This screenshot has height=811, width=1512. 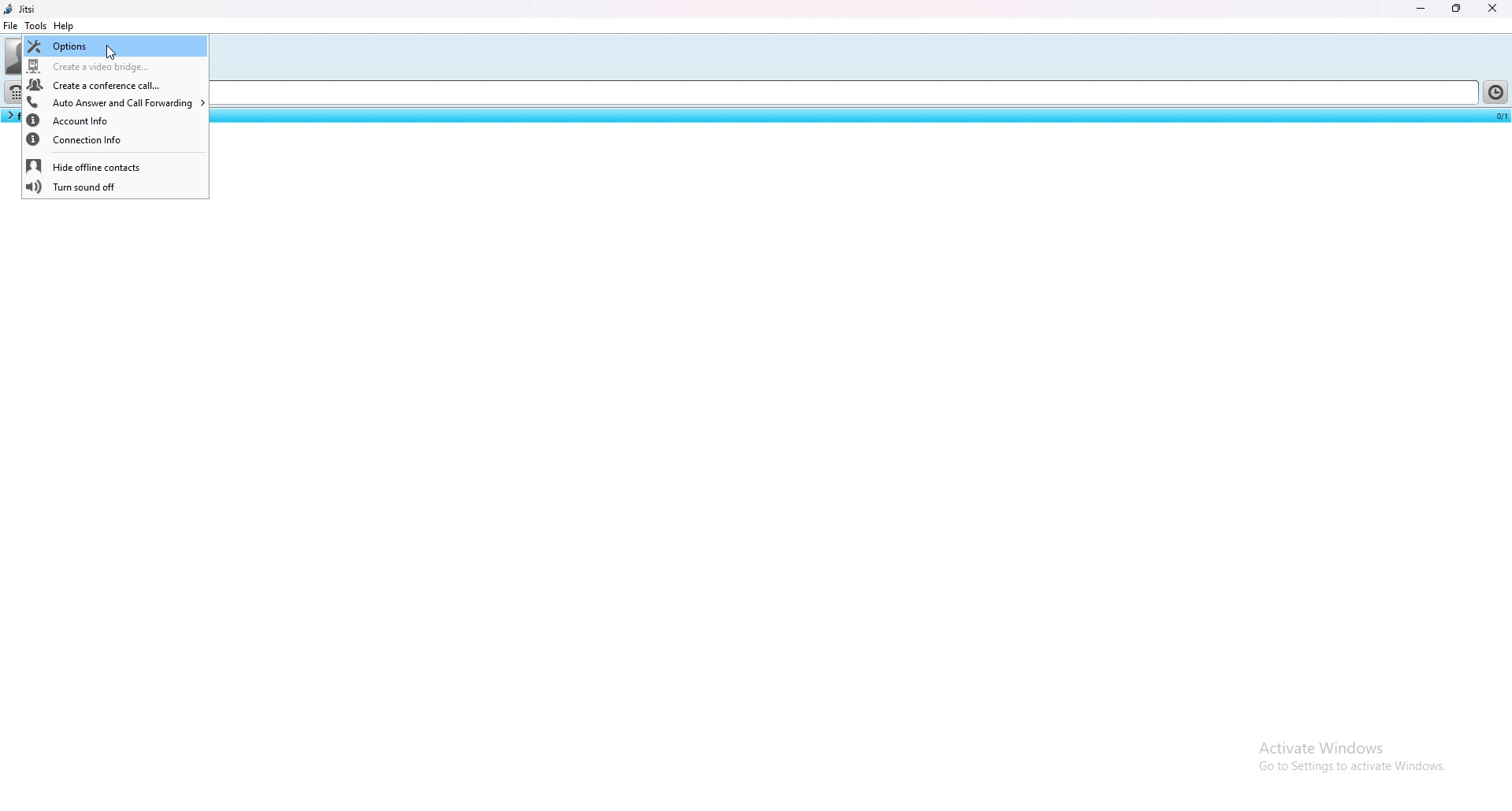 What do you see at coordinates (110, 54) in the screenshot?
I see `cursor` at bounding box center [110, 54].